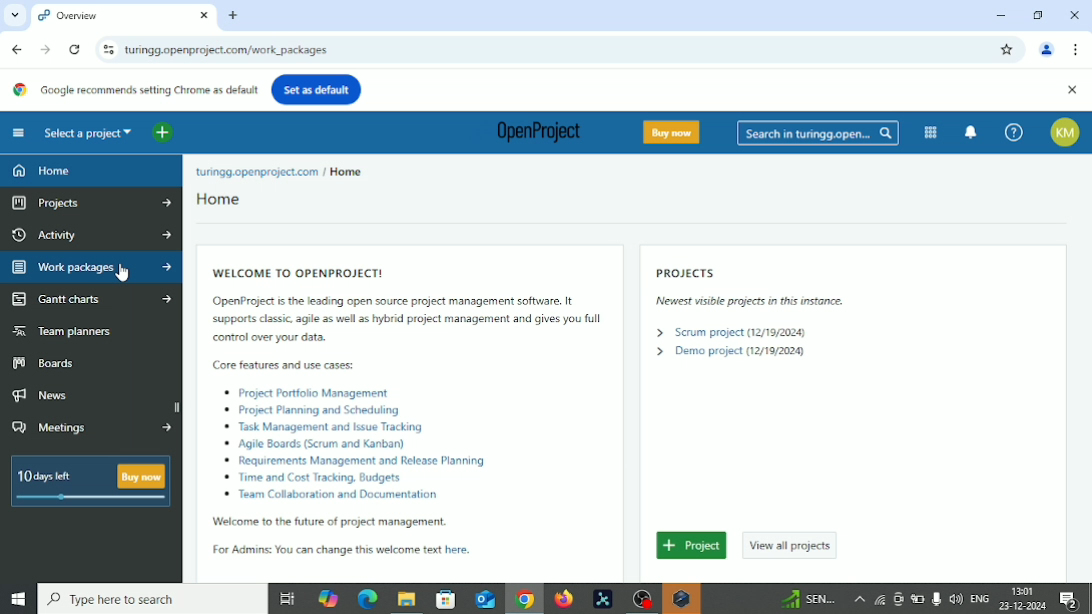 The height and width of the screenshot is (614, 1092). I want to click on Home, so click(220, 199).